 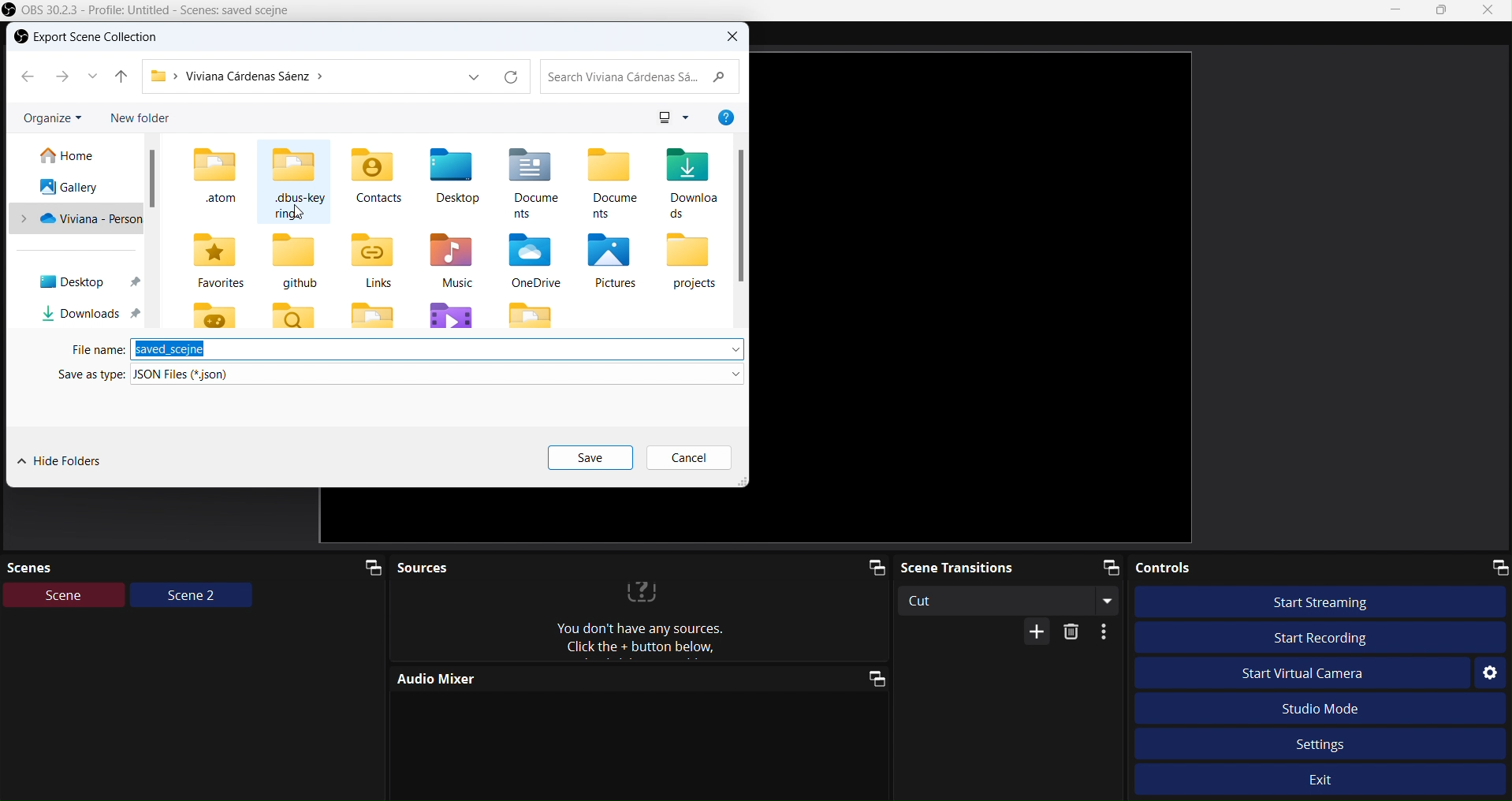 What do you see at coordinates (300, 210) in the screenshot?
I see `cursor` at bounding box center [300, 210].